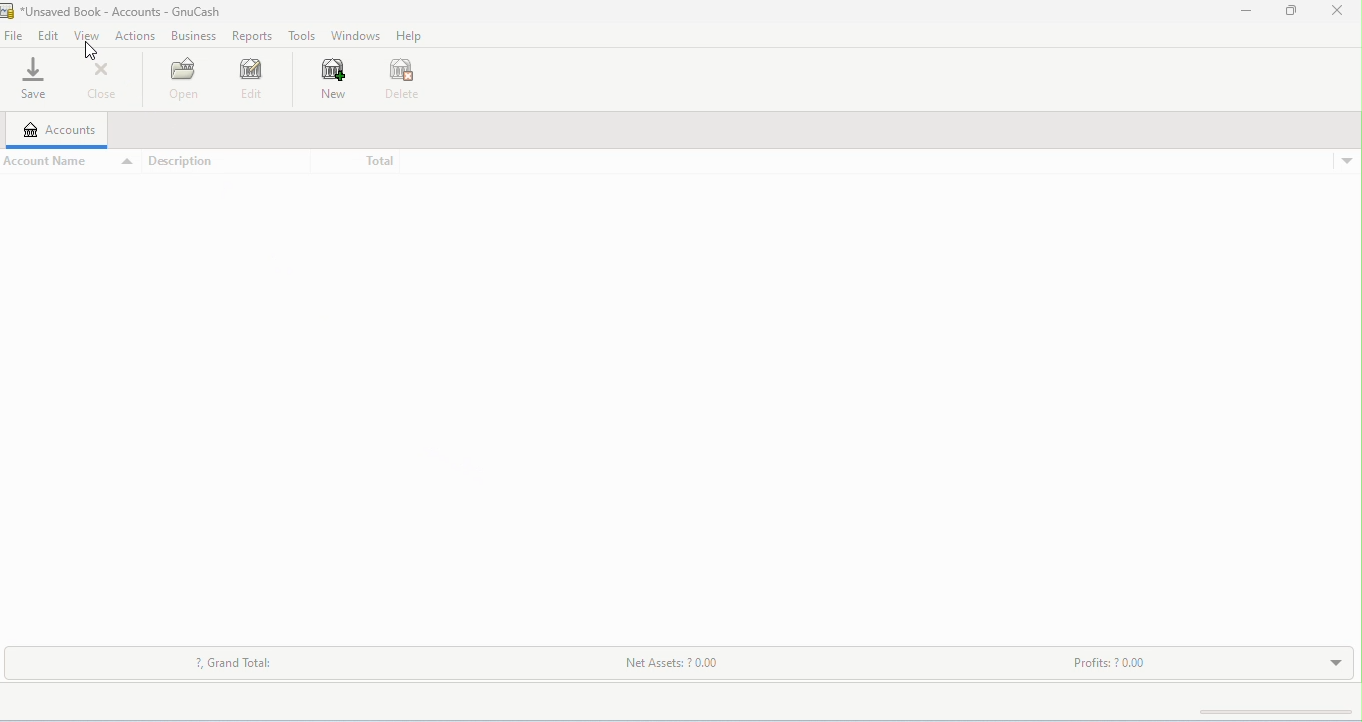 Image resolution: width=1362 pixels, height=722 pixels. Describe the element at coordinates (58, 162) in the screenshot. I see `account name` at that location.